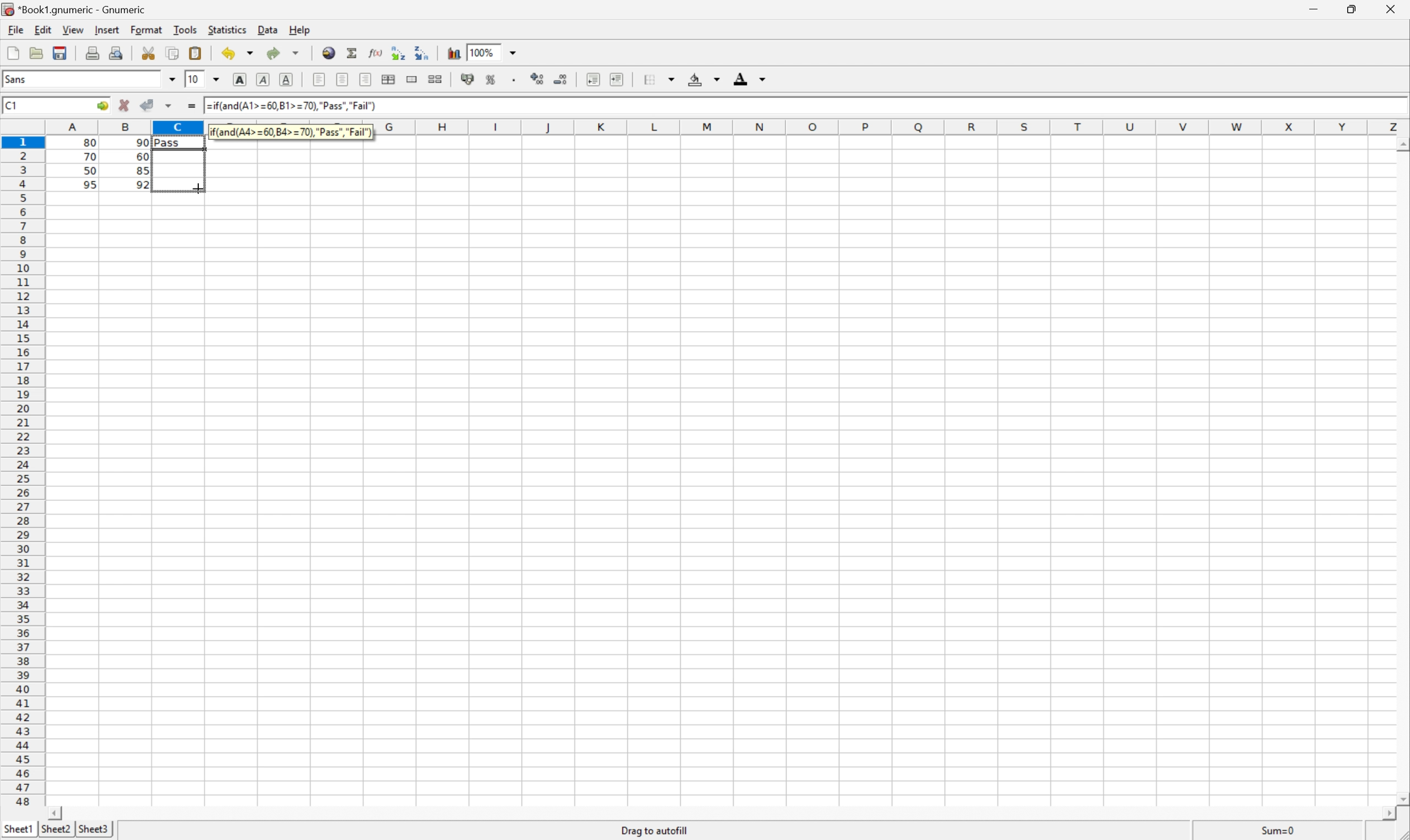 The image size is (1410, 840). What do you see at coordinates (146, 28) in the screenshot?
I see `Format` at bounding box center [146, 28].